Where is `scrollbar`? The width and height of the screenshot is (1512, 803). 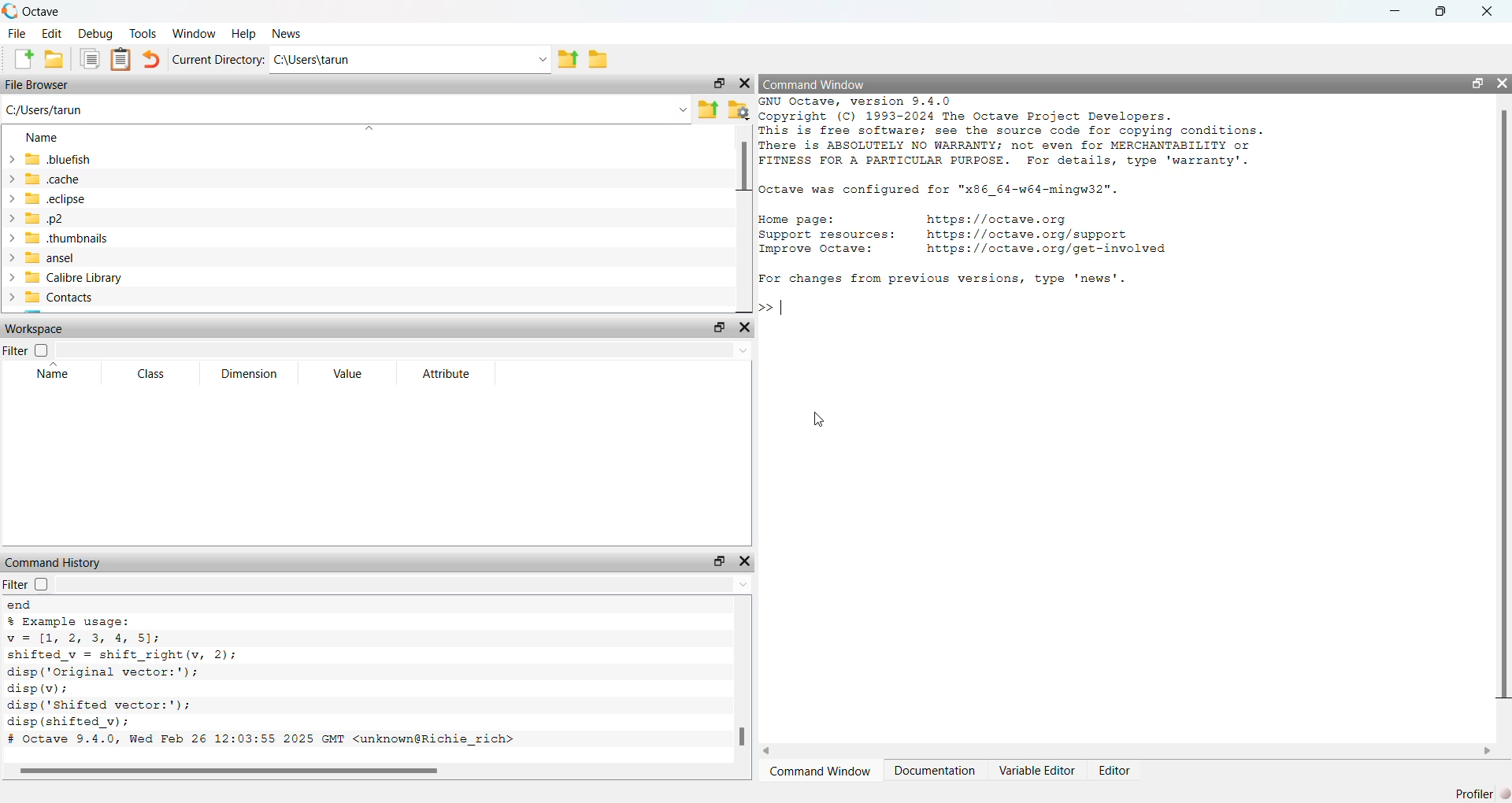
scrollbar is located at coordinates (1499, 409).